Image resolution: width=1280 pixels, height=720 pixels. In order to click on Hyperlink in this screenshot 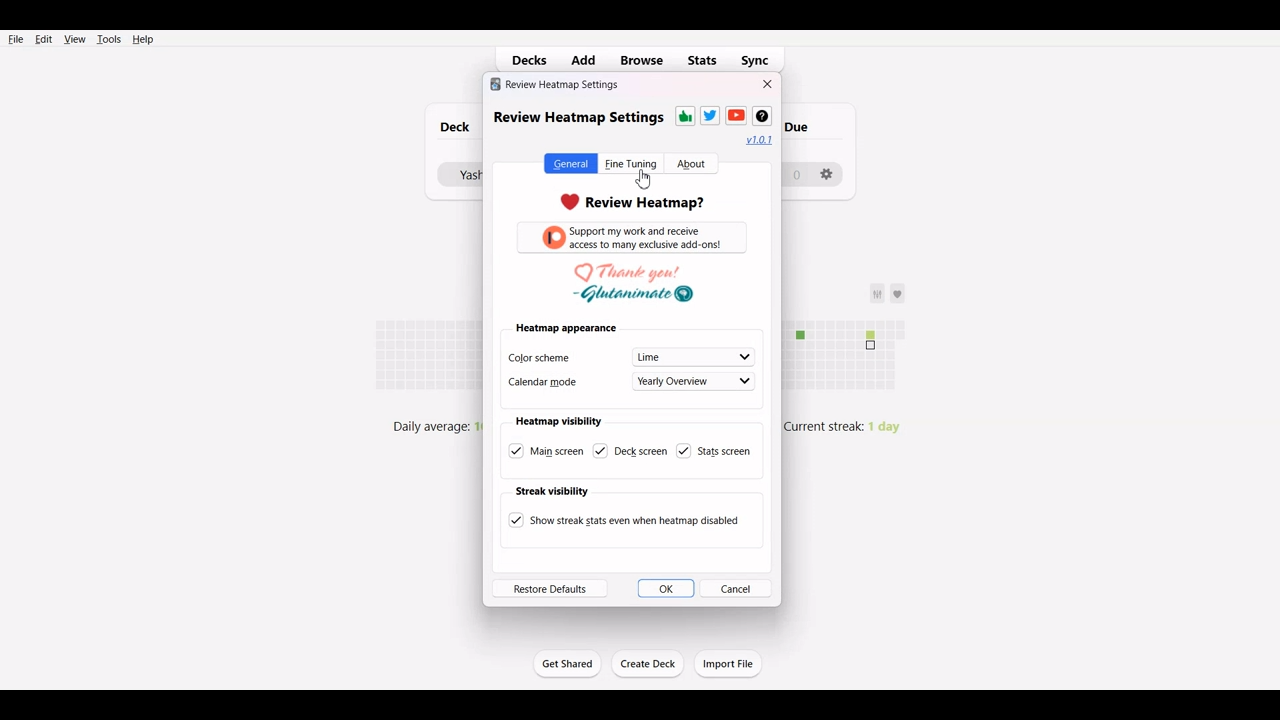, I will do `click(760, 140)`.